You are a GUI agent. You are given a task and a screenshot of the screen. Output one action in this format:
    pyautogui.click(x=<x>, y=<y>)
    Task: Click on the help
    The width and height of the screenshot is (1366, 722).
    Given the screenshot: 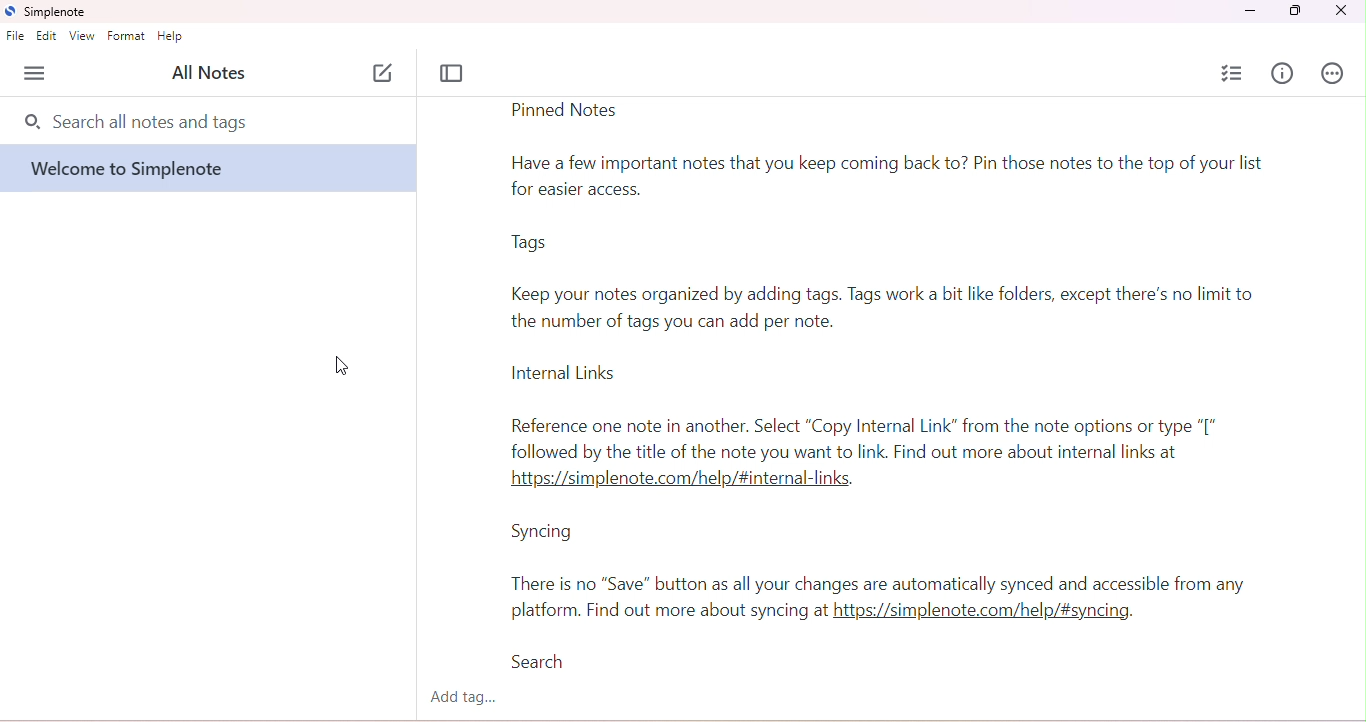 What is the action you would take?
    pyautogui.click(x=171, y=35)
    